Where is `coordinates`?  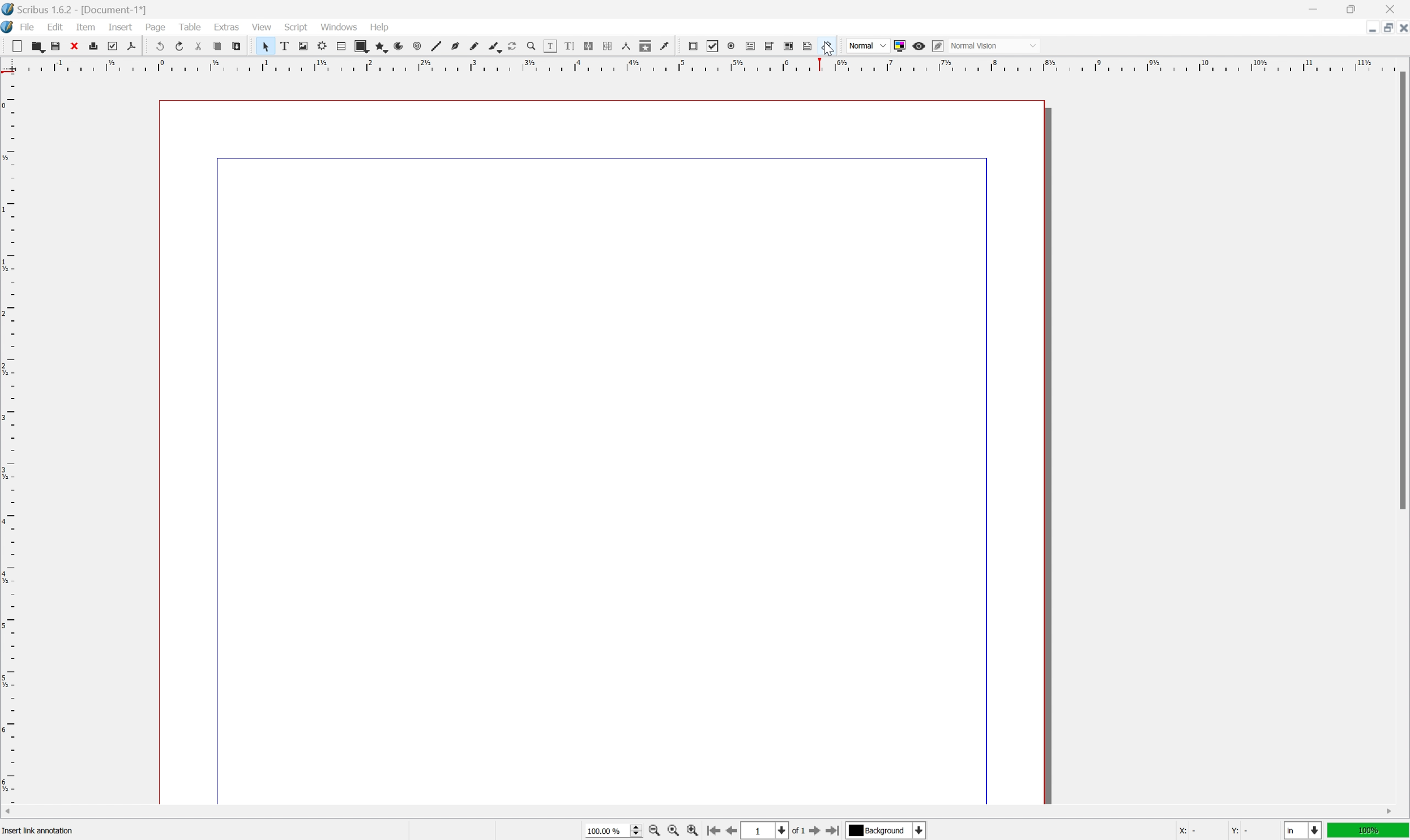
coordinates is located at coordinates (1214, 831).